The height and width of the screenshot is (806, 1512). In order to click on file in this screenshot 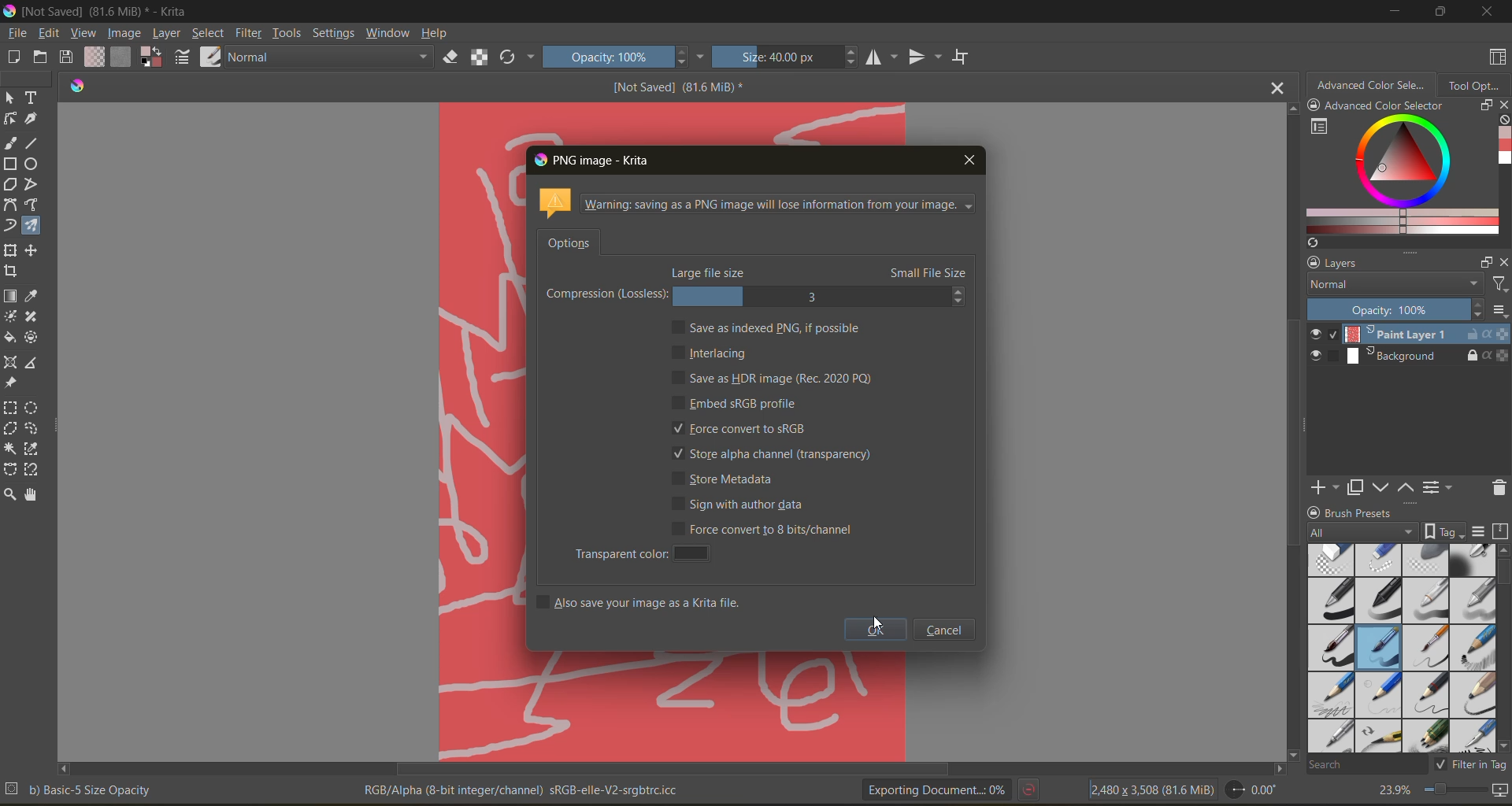, I will do `click(18, 31)`.